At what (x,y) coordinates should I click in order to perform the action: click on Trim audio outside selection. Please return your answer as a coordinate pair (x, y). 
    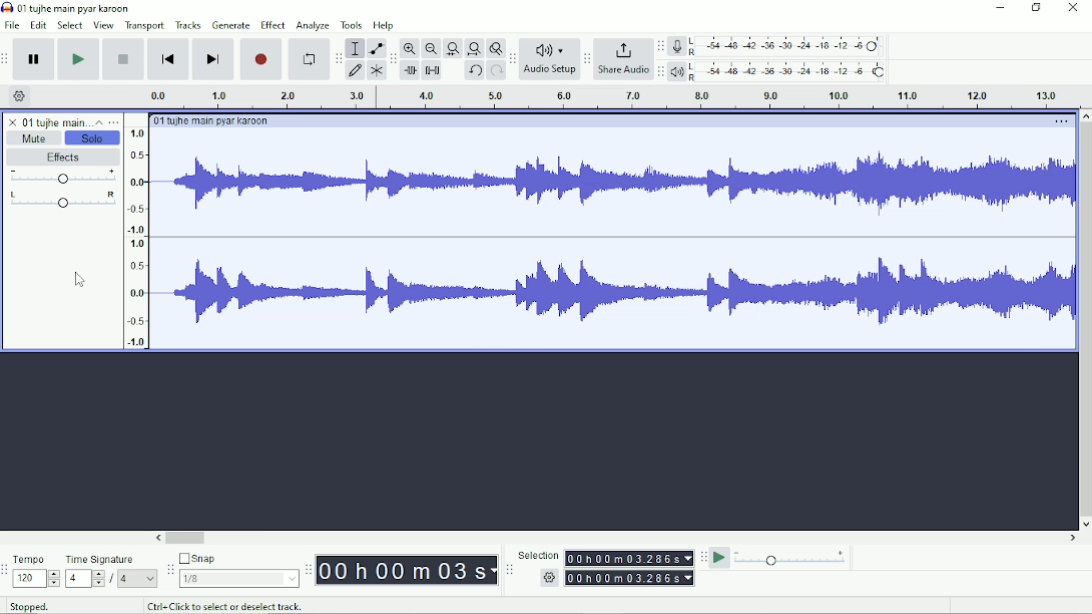
    Looking at the image, I should click on (410, 70).